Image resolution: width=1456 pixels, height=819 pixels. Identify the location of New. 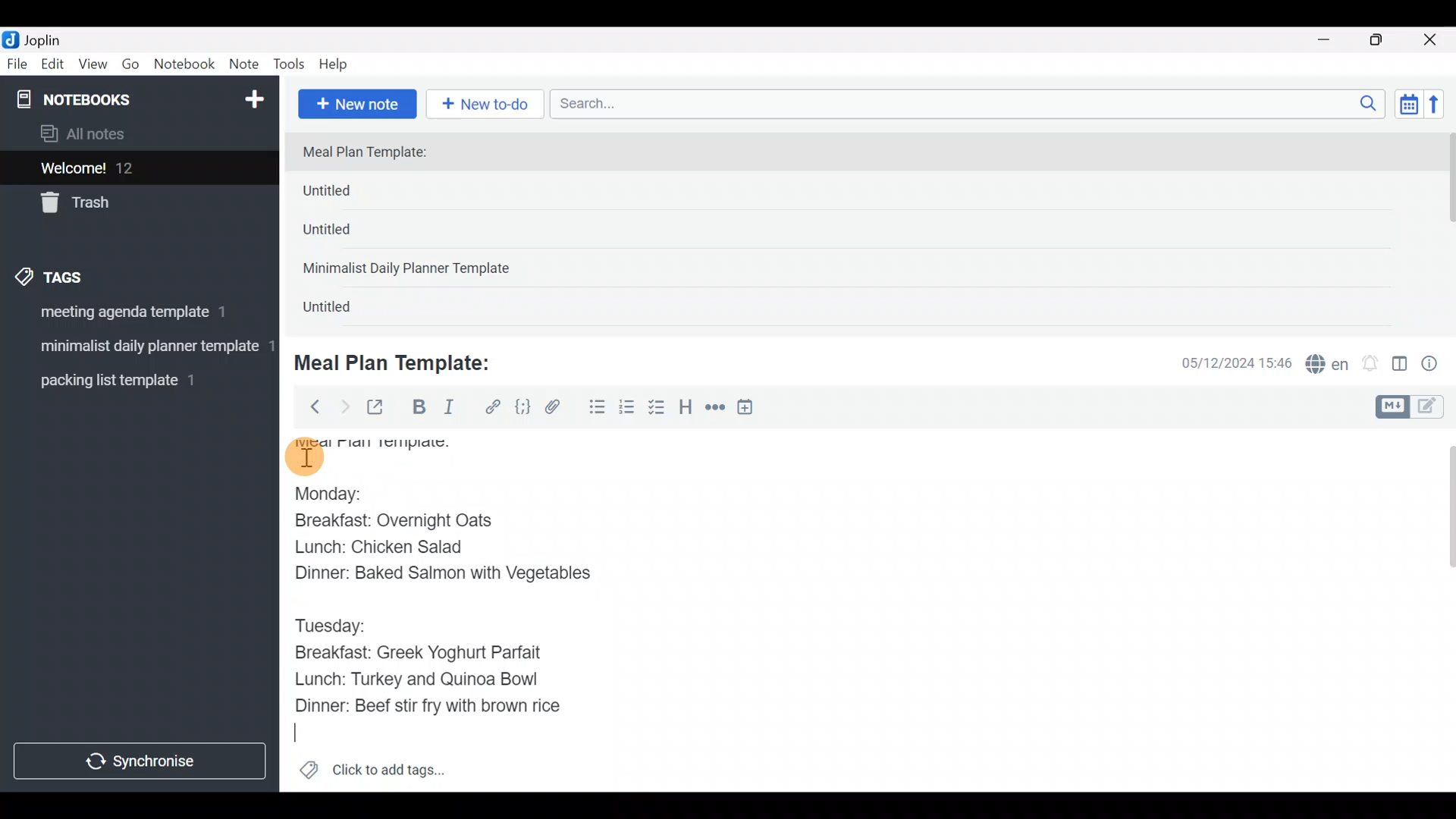
(253, 96).